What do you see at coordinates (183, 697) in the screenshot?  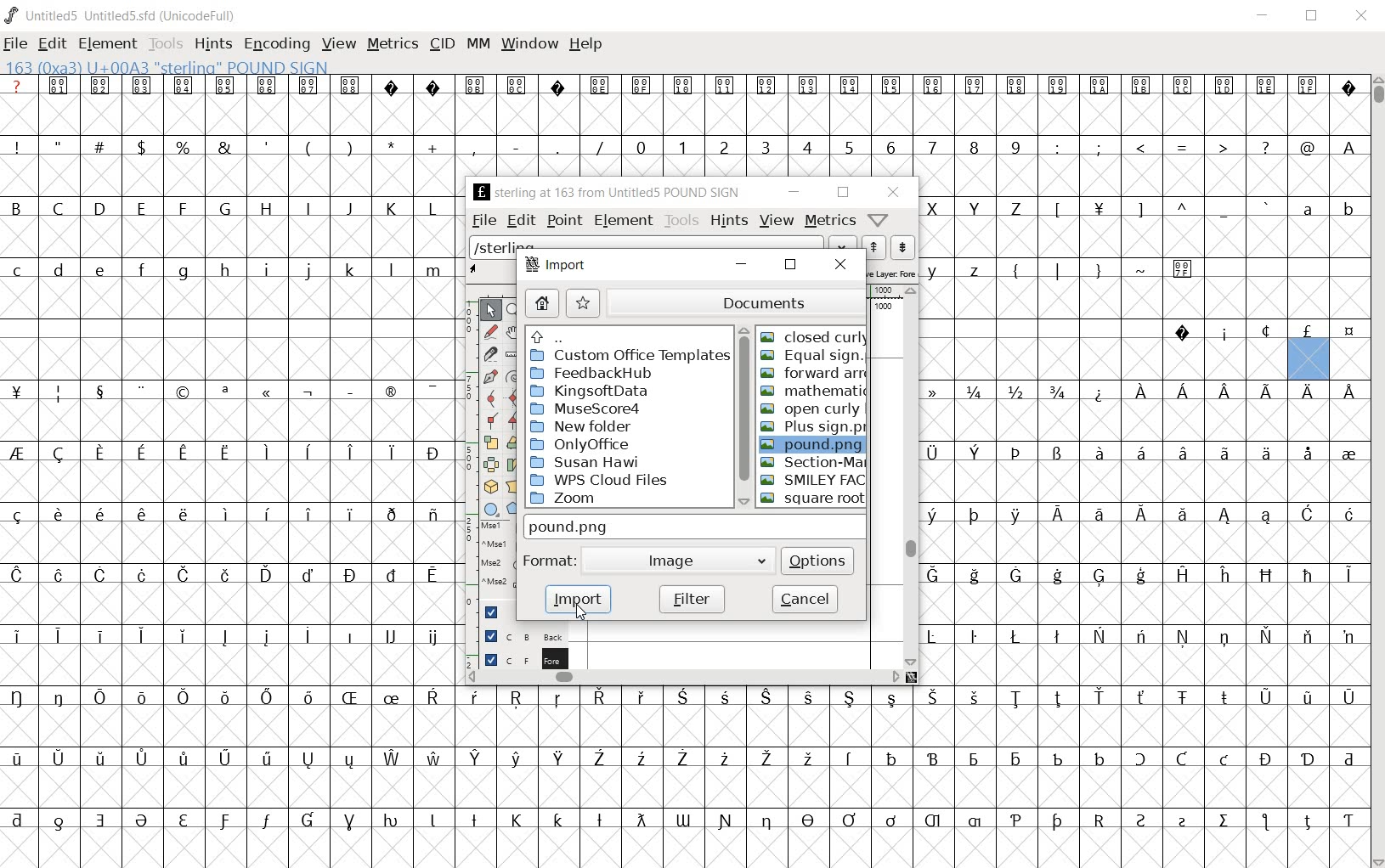 I see `Symbol` at bounding box center [183, 697].